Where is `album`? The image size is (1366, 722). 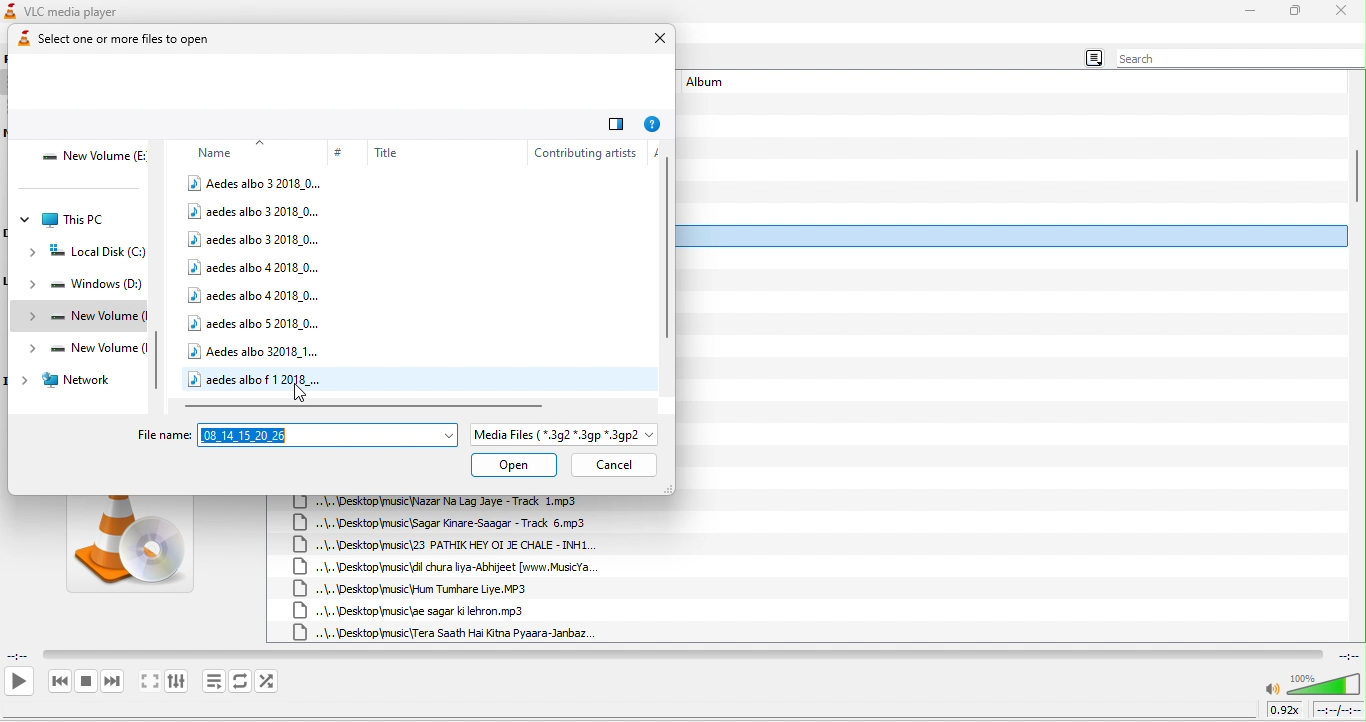
album is located at coordinates (711, 84).